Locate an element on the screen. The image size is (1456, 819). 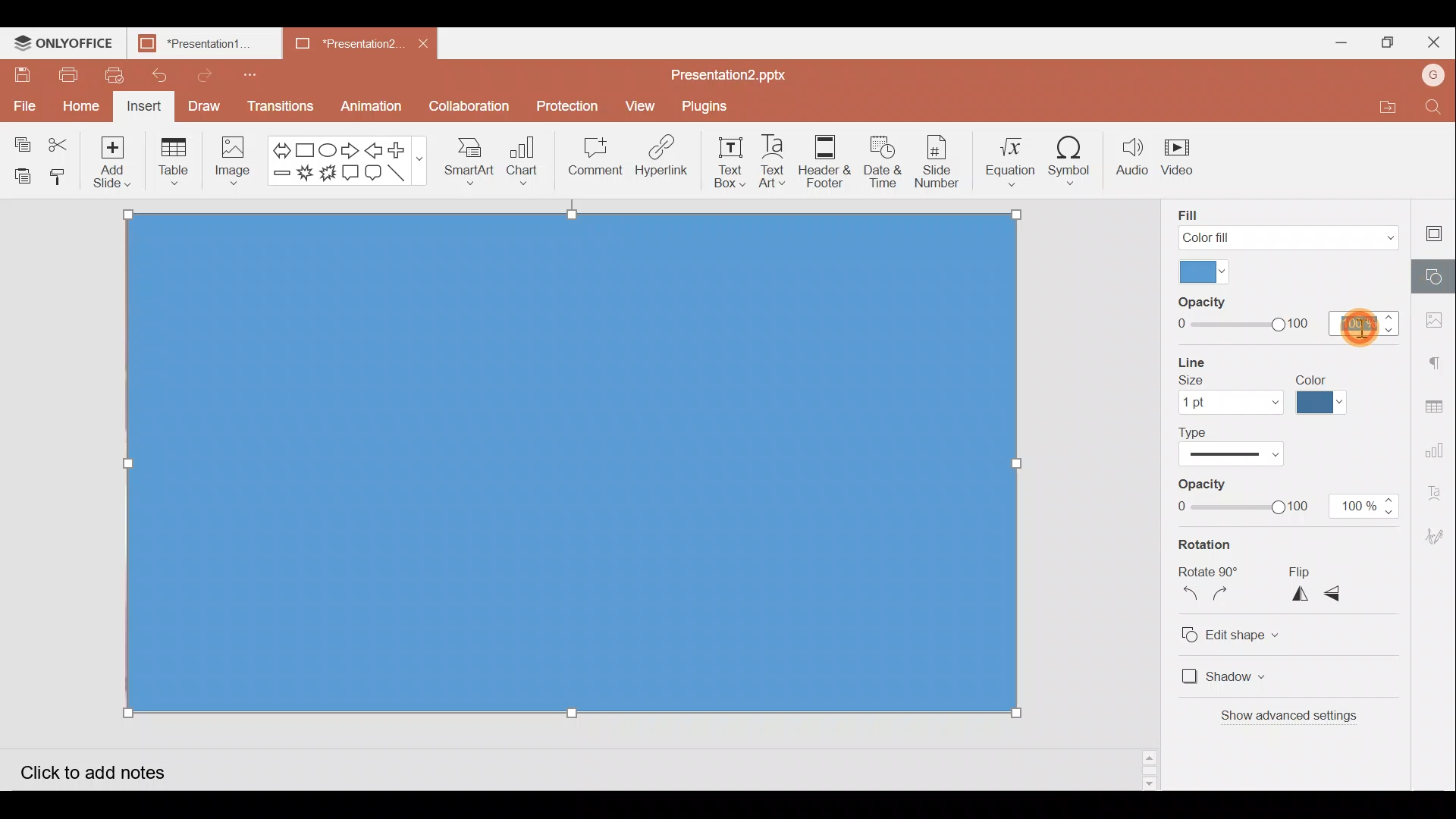
Slide settings is located at coordinates (1437, 229).